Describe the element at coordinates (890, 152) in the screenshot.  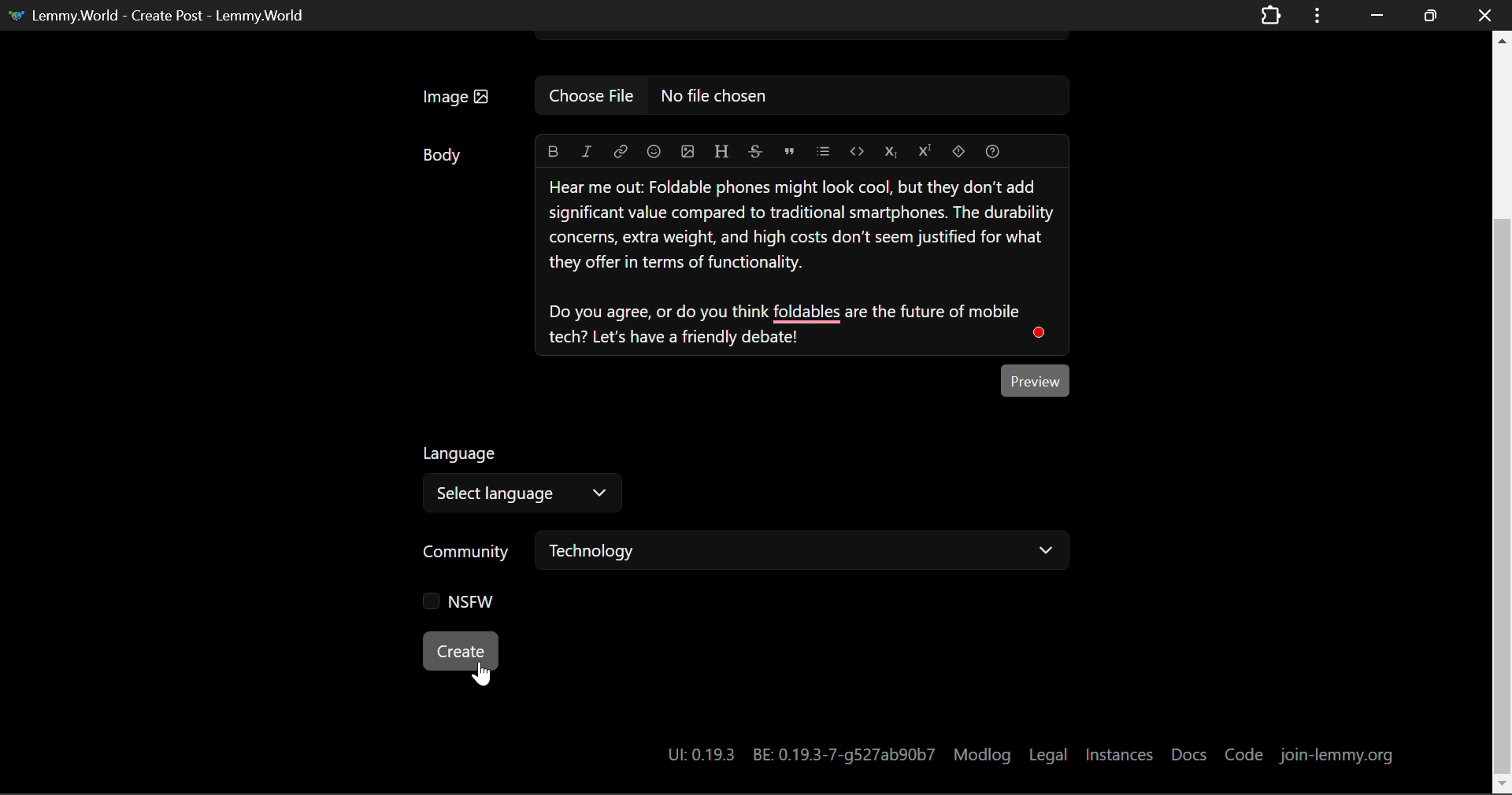
I see `subscript` at that location.